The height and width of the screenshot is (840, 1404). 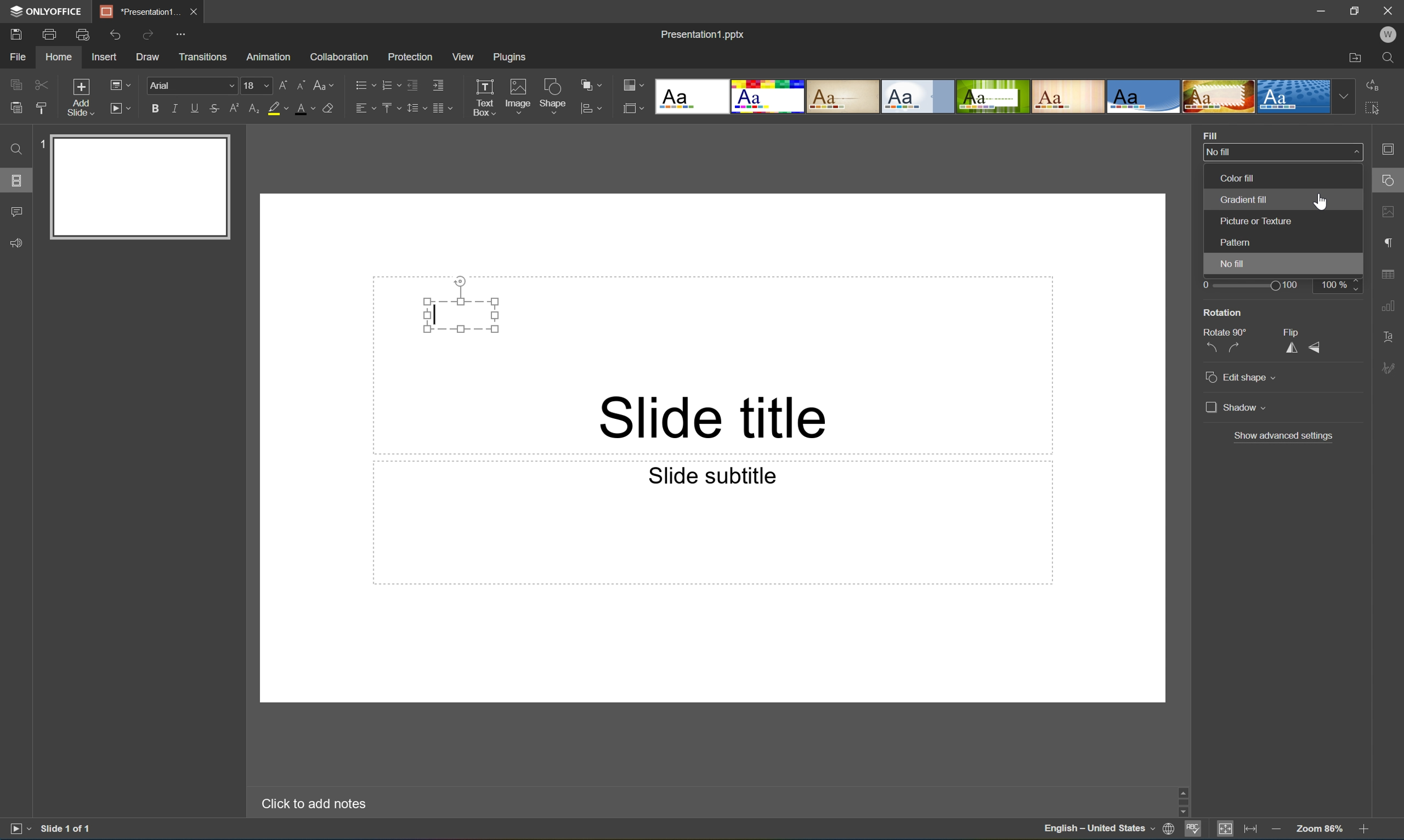 I want to click on chart settings, so click(x=1388, y=306).